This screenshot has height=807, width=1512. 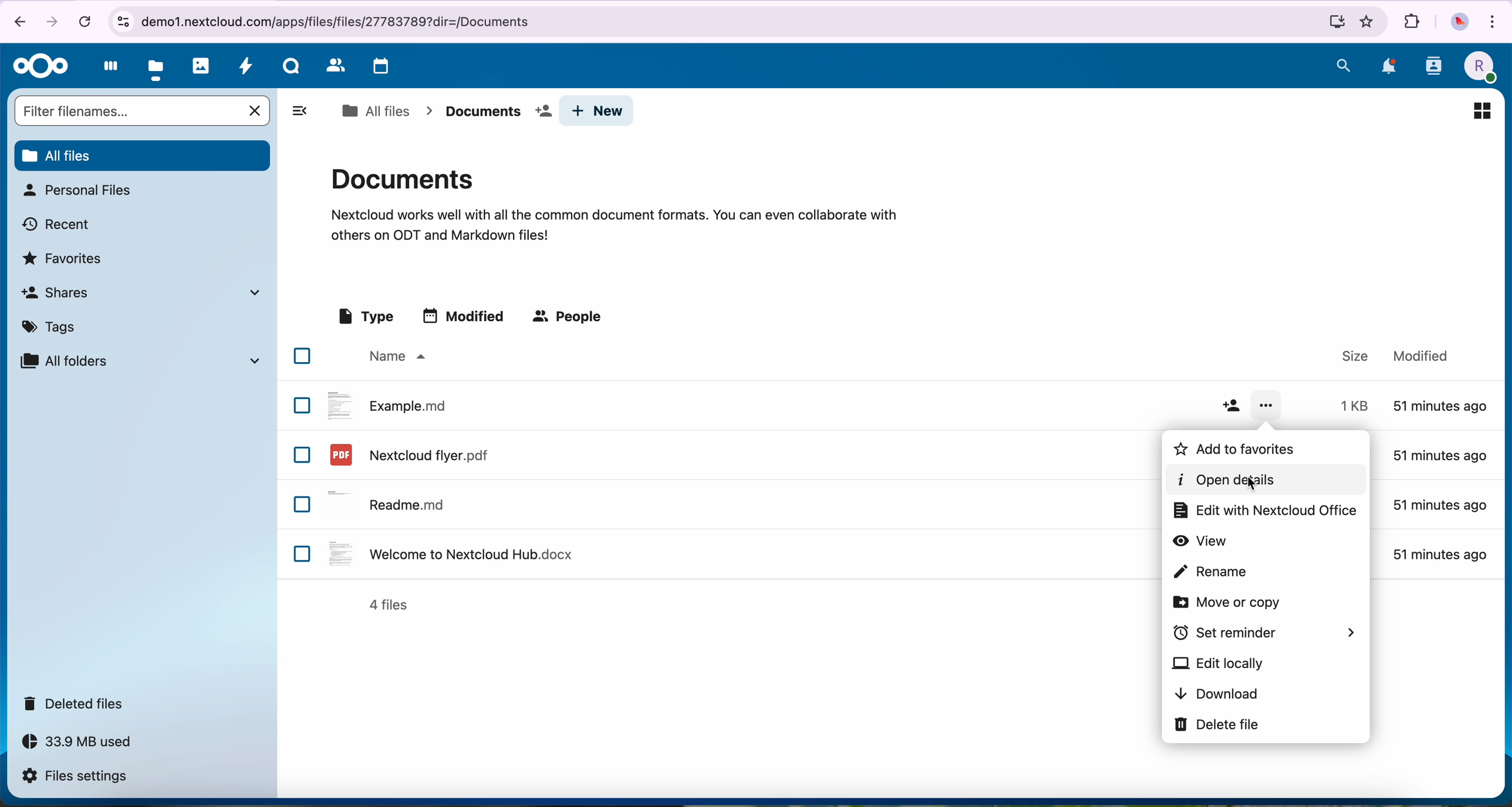 What do you see at coordinates (55, 20) in the screenshot?
I see `navigate foward` at bounding box center [55, 20].